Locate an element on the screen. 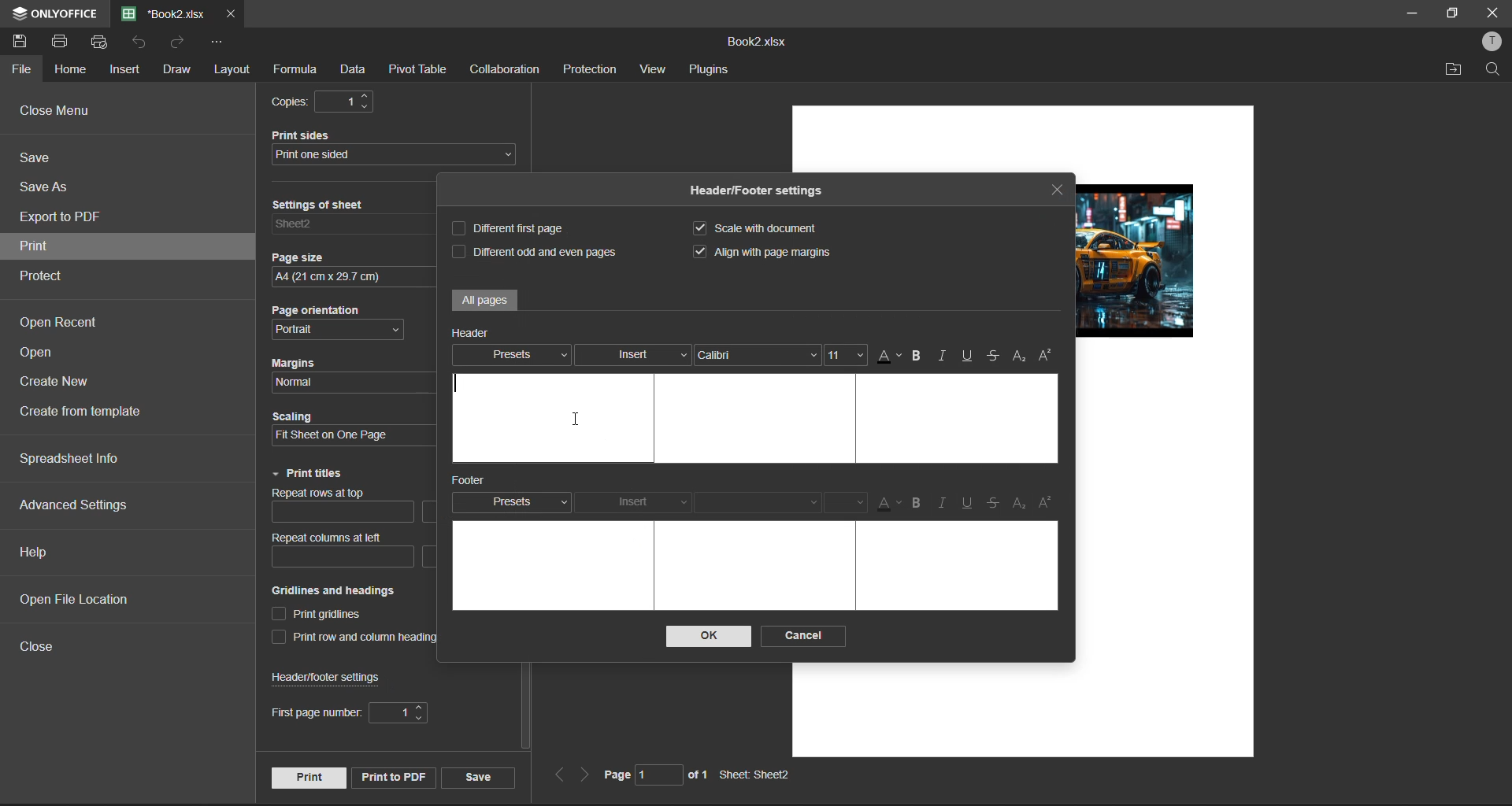 The height and width of the screenshot is (806, 1512). file is located at coordinates (20, 69).